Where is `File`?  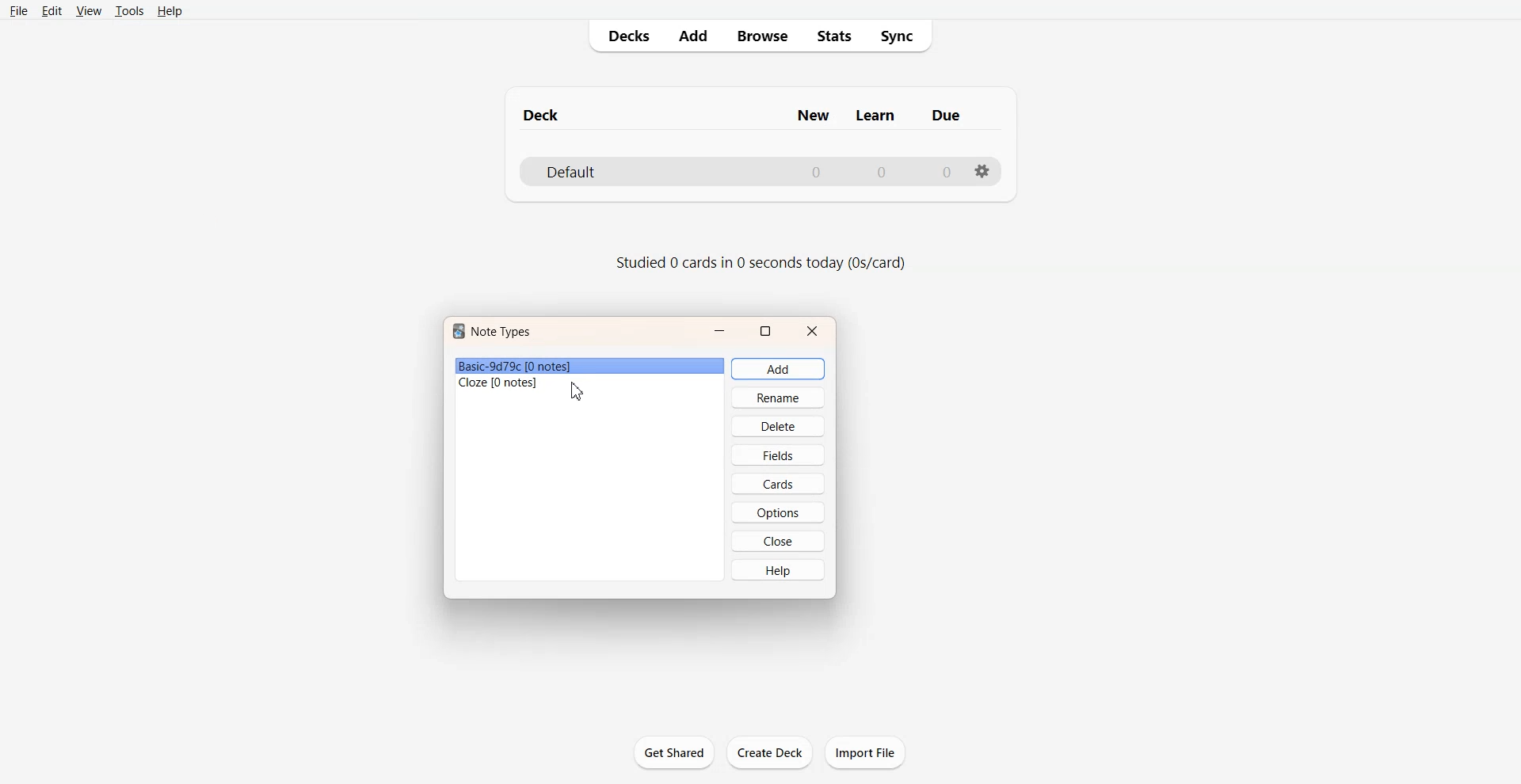
File is located at coordinates (590, 366).